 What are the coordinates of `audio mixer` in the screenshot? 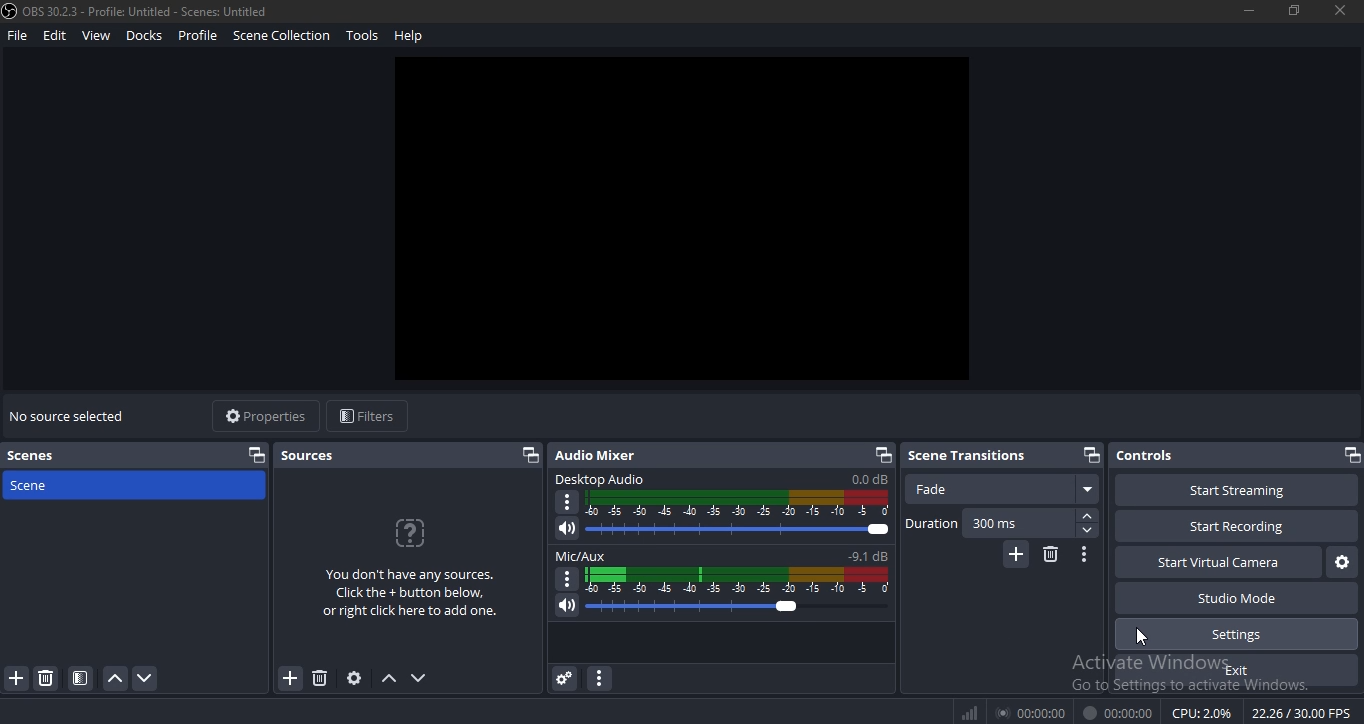 It's located at (601, 454).